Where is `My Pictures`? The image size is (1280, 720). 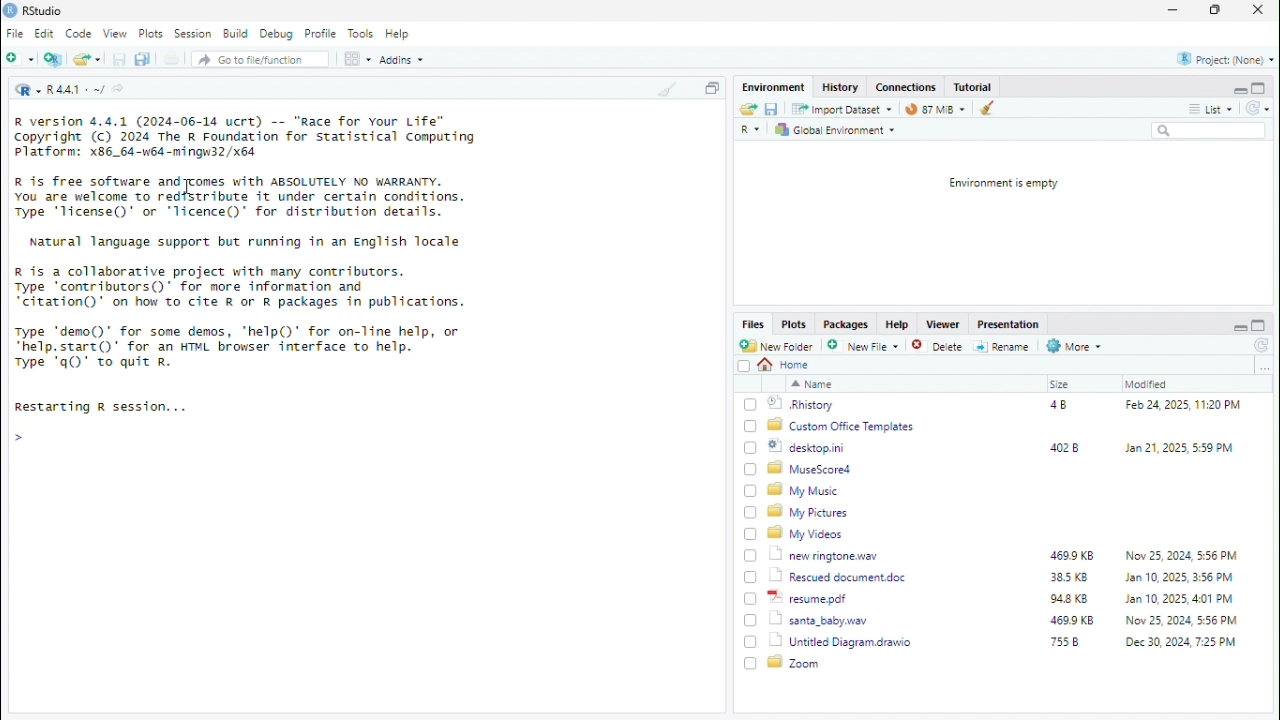
My Pictures is located at coordinates (811, 512).